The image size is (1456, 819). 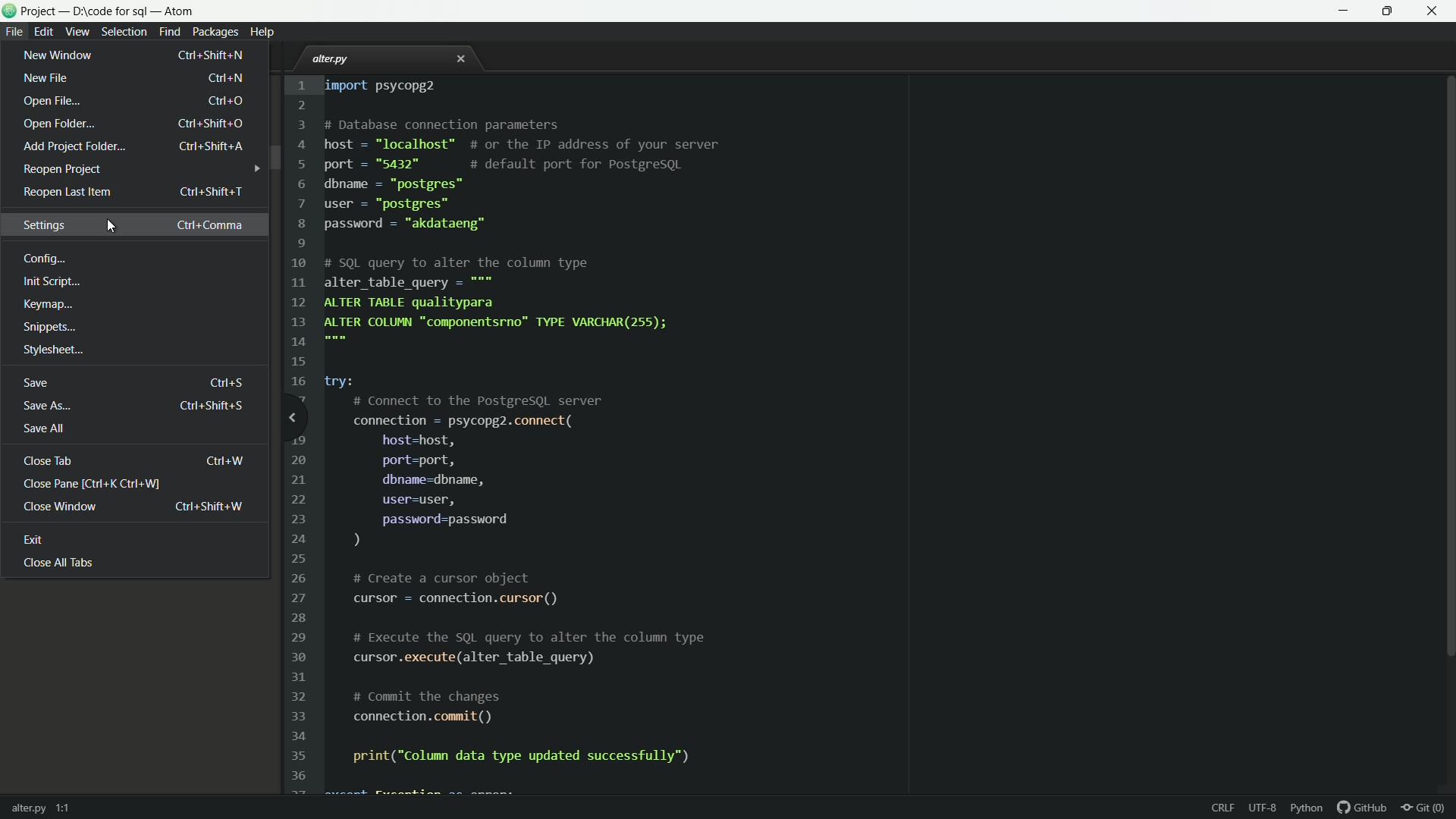 What do you see at coordinates (1263, 809) in the screenshot?
I see `utf-8` at bounding box center [1263, 809].